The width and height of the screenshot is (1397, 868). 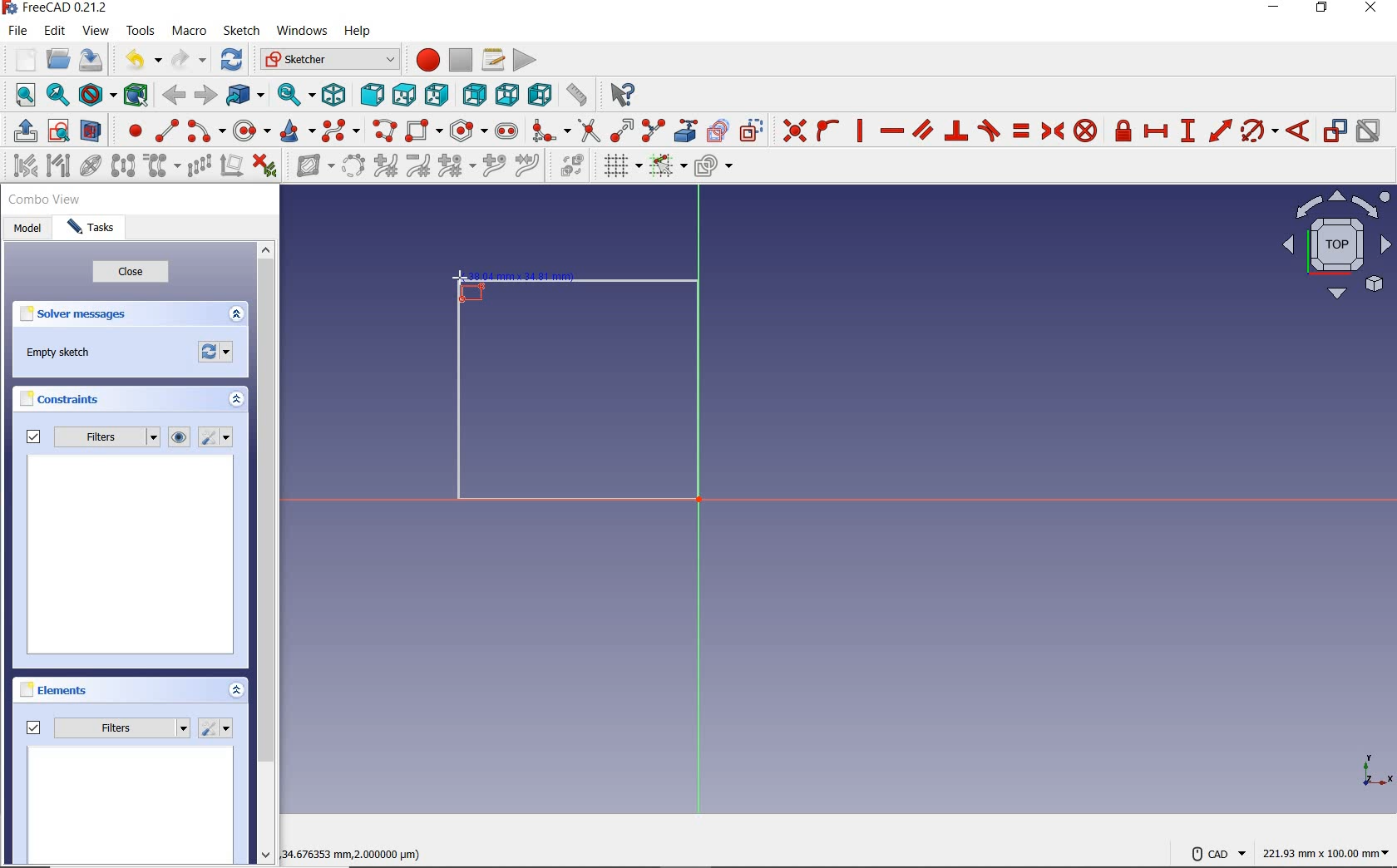 I want to click on sketch in progress, so click(x=578, y=396).